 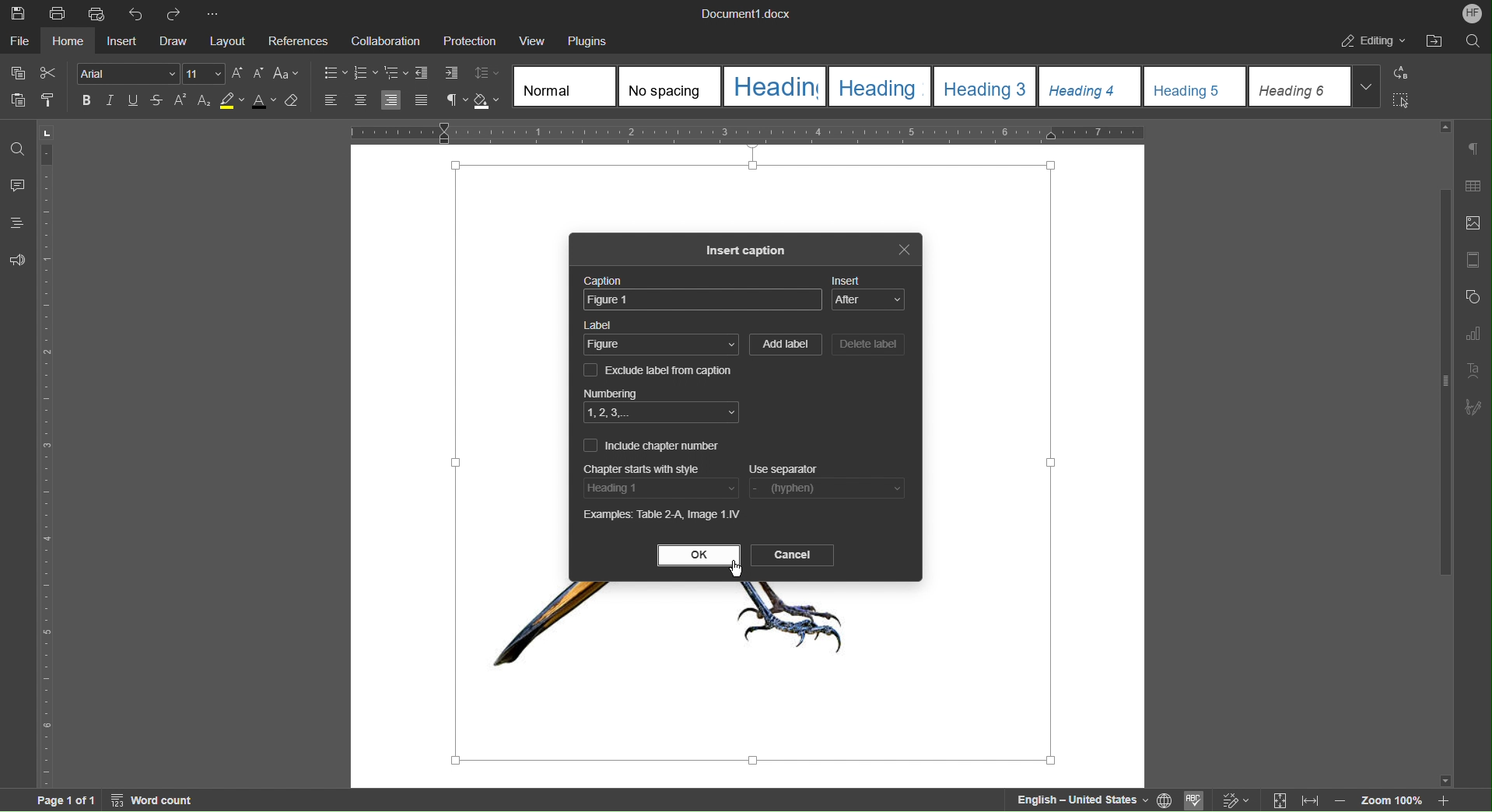 What do you see at coordinates (1079, 799) in the screenshot?
I see `English — United States` at bounding box center [1079, 799].